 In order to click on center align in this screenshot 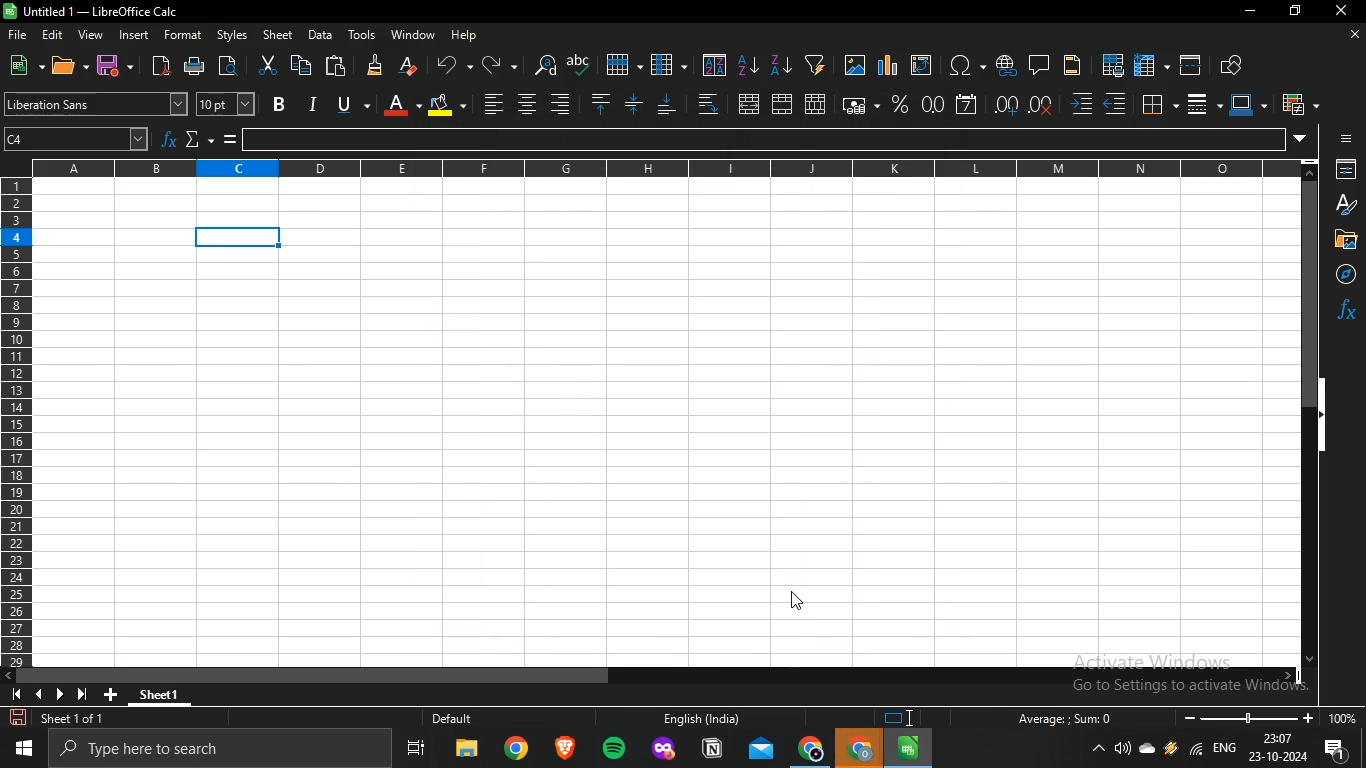, I will do `click(525, 104)`.